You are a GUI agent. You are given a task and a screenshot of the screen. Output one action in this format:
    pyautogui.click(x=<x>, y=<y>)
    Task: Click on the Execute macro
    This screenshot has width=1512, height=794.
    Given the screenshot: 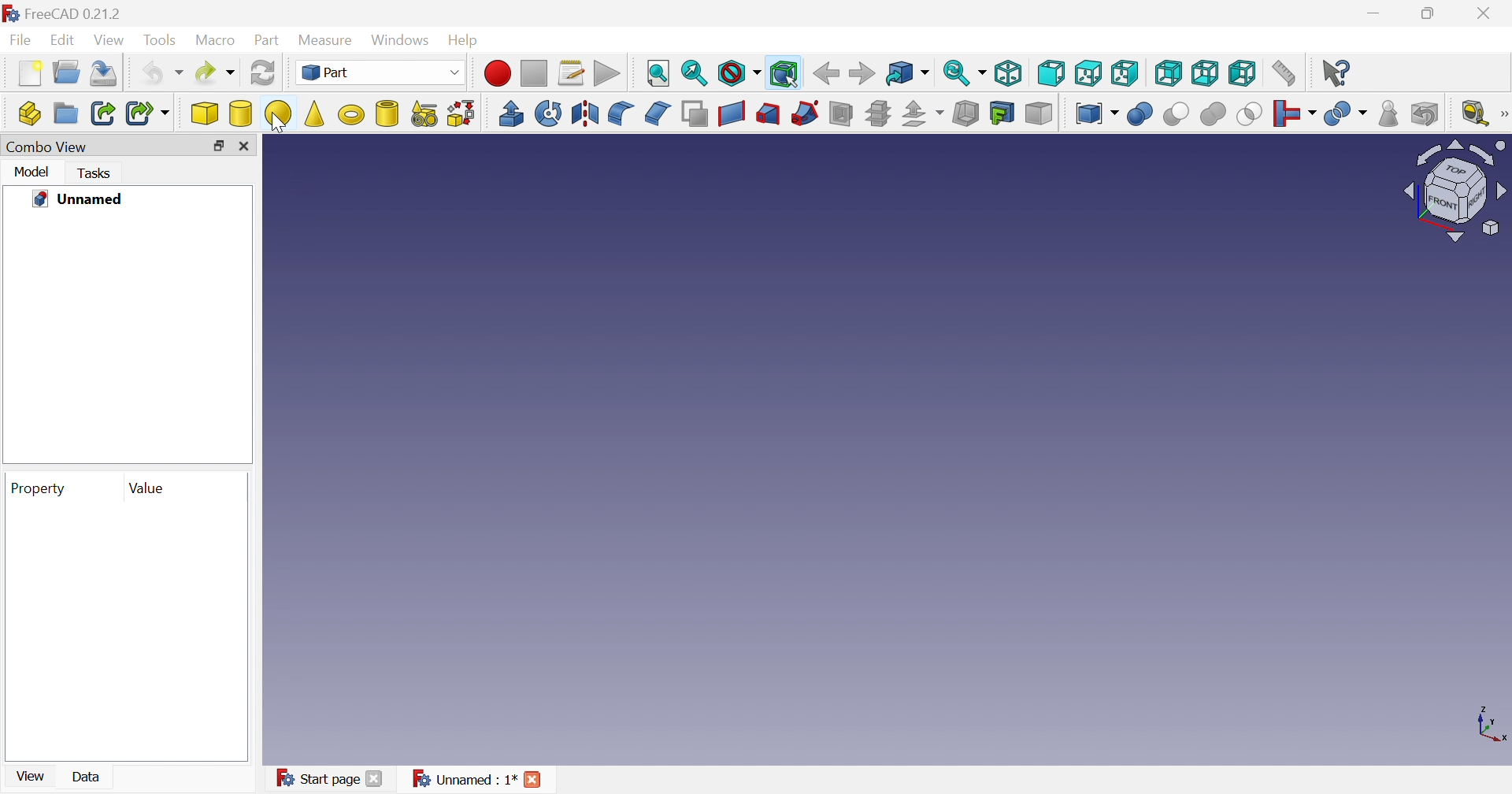 What is the action you would take?
    pyautogui.click(x=607, y=74)
    